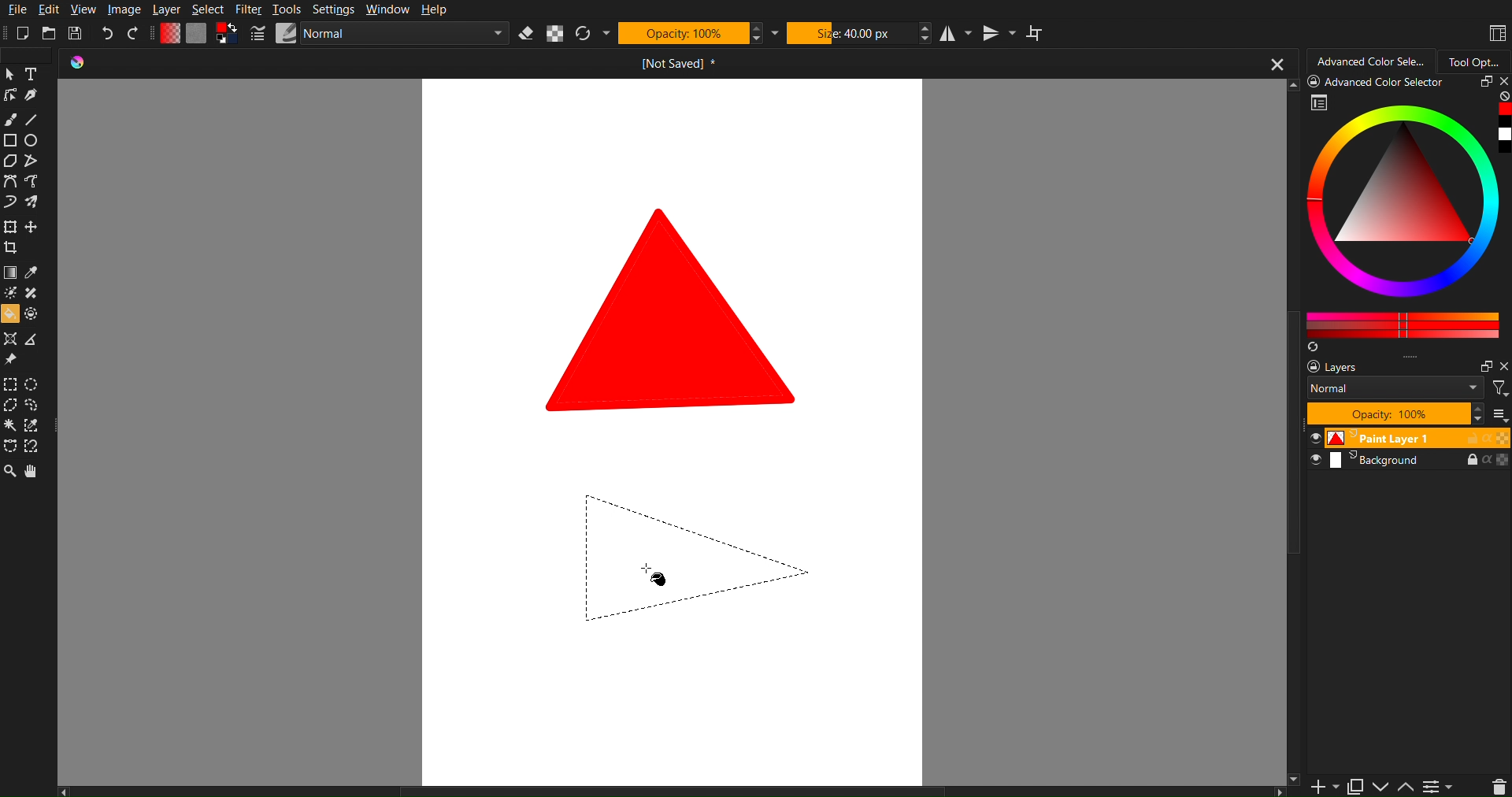  I want to click on Settings, so click(336, 10).